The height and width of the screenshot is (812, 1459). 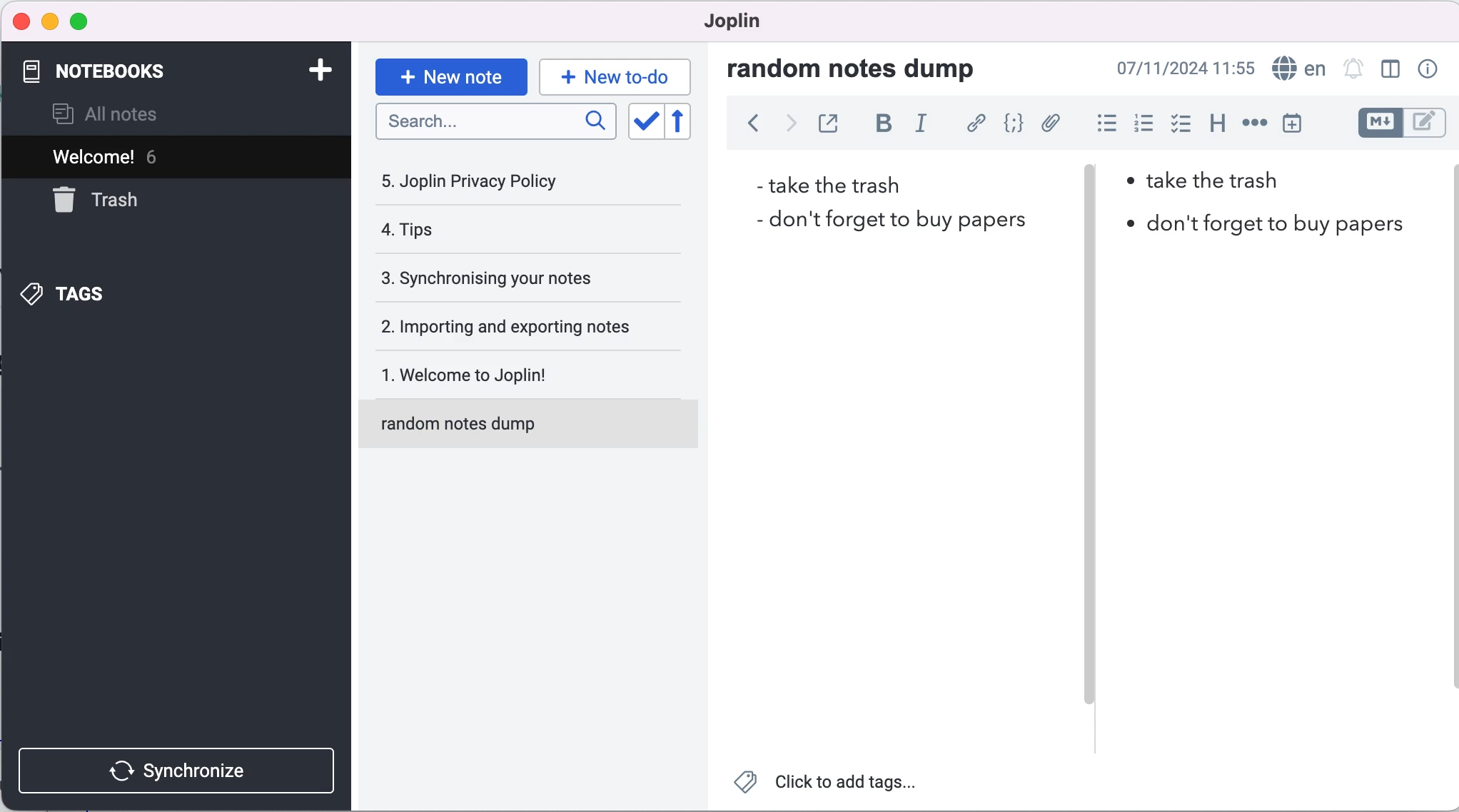 What do you see at coordinates (617, 76) in the screenshot?
I see `new to-do` at bounding box center [617, 76].